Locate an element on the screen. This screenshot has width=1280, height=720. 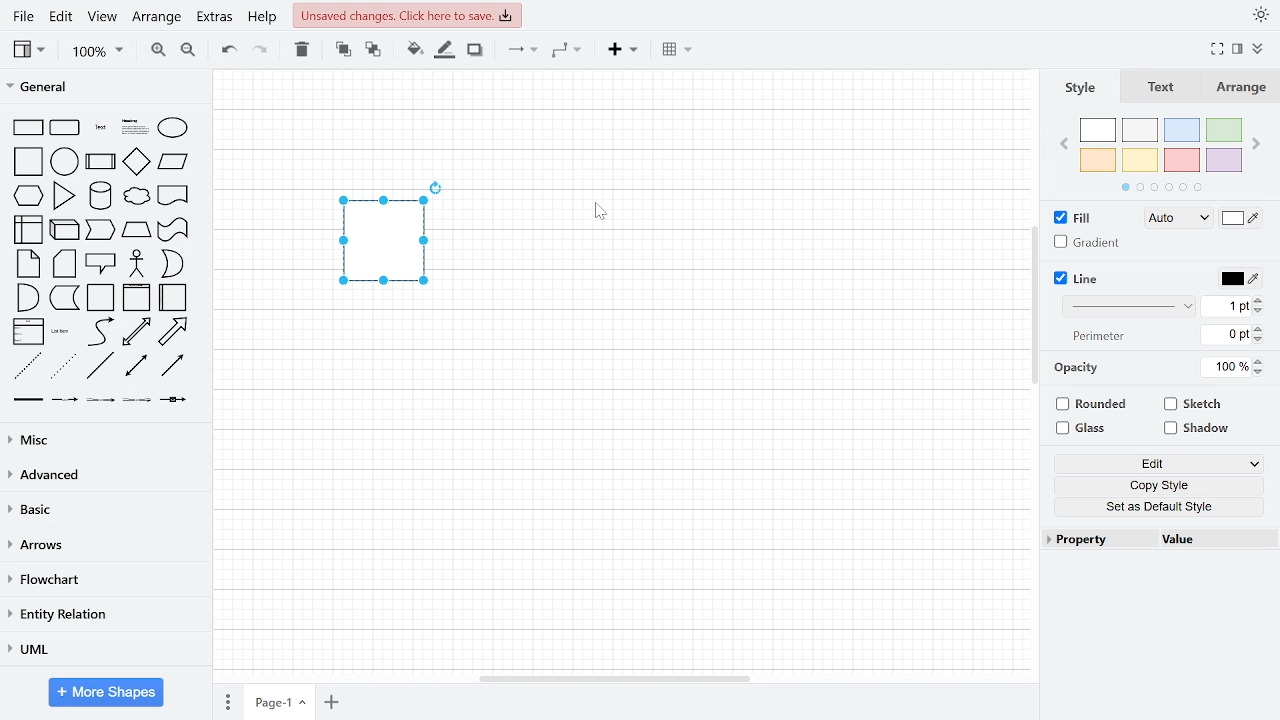
appearance is located at coordinates (1258, 16).